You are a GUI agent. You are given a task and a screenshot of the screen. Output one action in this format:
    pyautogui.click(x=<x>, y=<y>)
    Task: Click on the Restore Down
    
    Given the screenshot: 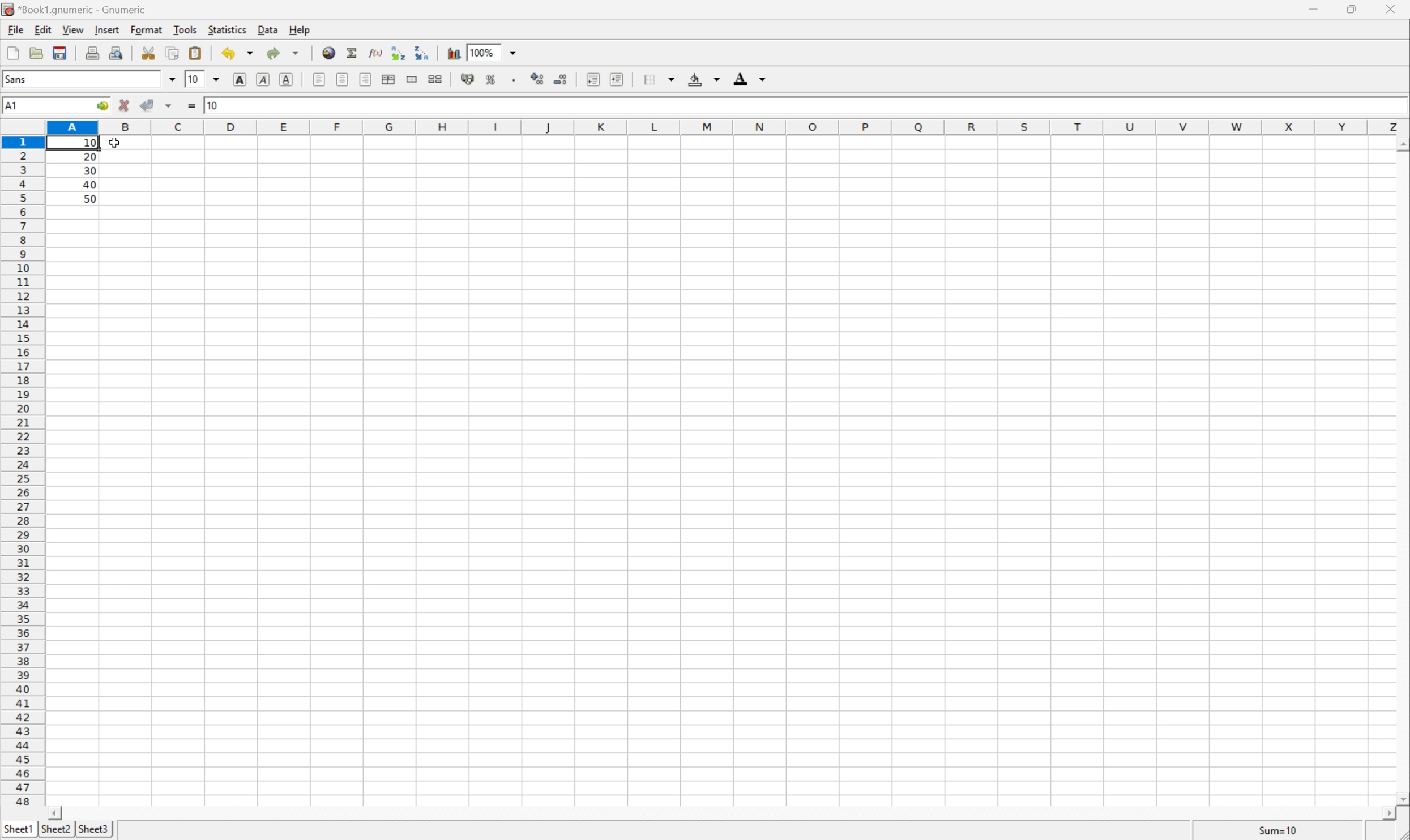 What is the action you would take?
    pyautogui.click(x=1354, y=8)
    